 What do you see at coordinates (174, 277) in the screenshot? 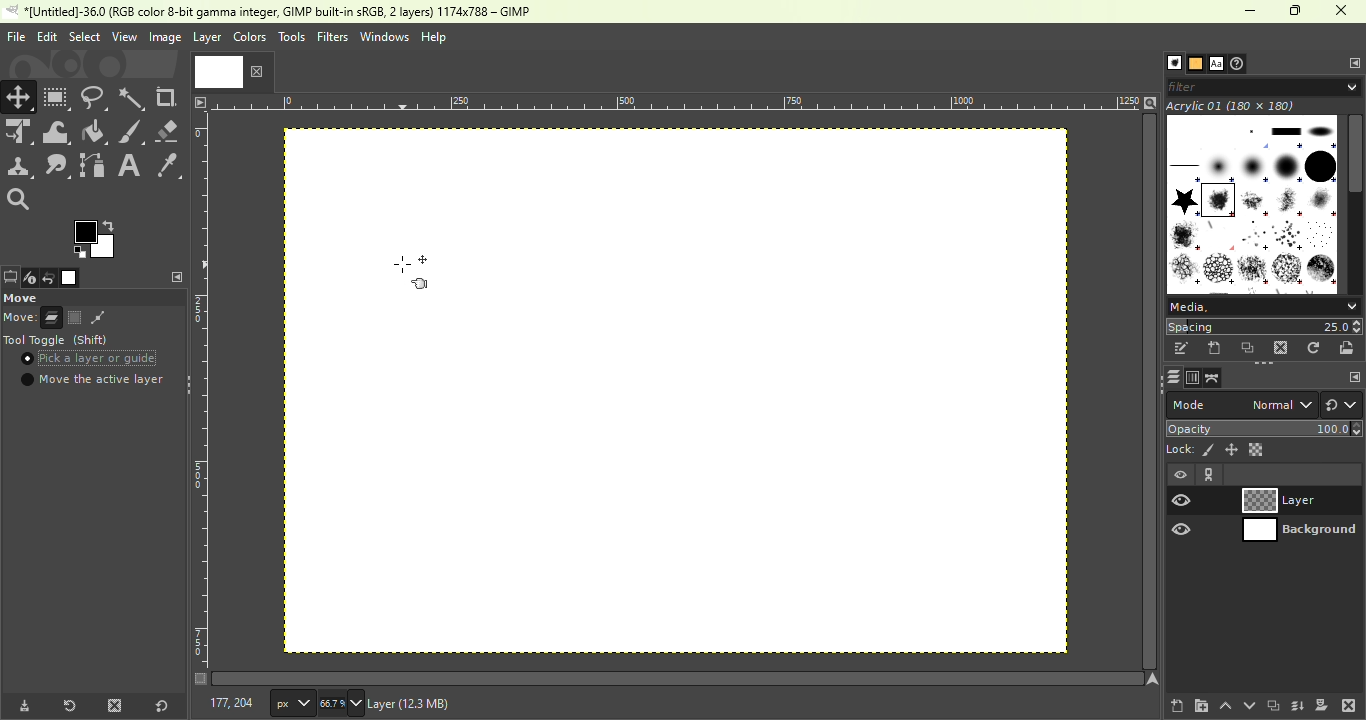
I see `Configure this tab` at bounding box center [174, 277].